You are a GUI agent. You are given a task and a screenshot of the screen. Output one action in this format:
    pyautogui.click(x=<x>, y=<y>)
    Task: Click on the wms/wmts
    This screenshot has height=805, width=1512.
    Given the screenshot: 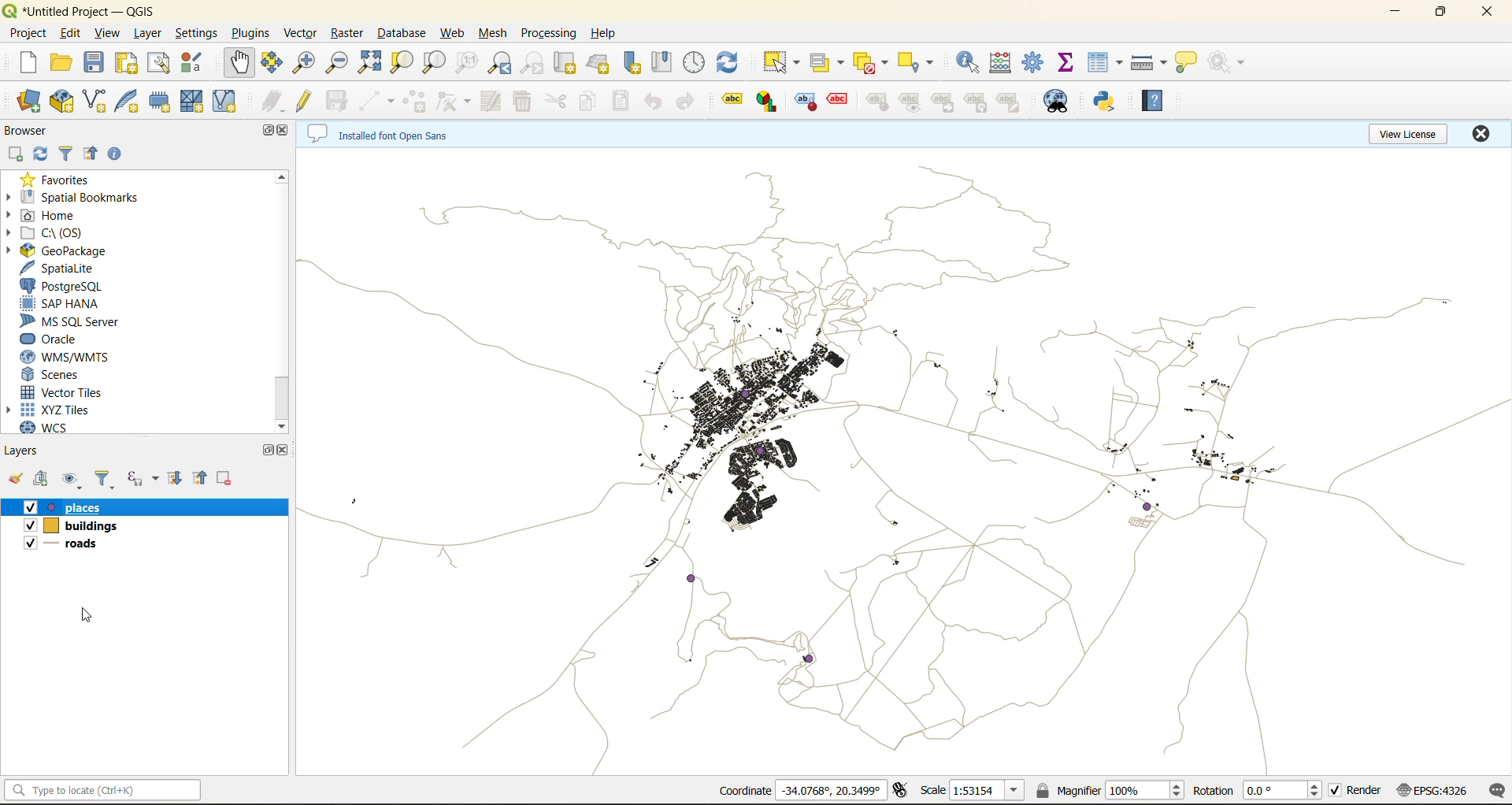 What is the action you would take?
    pyautogui.click(x=71, y=357)
    